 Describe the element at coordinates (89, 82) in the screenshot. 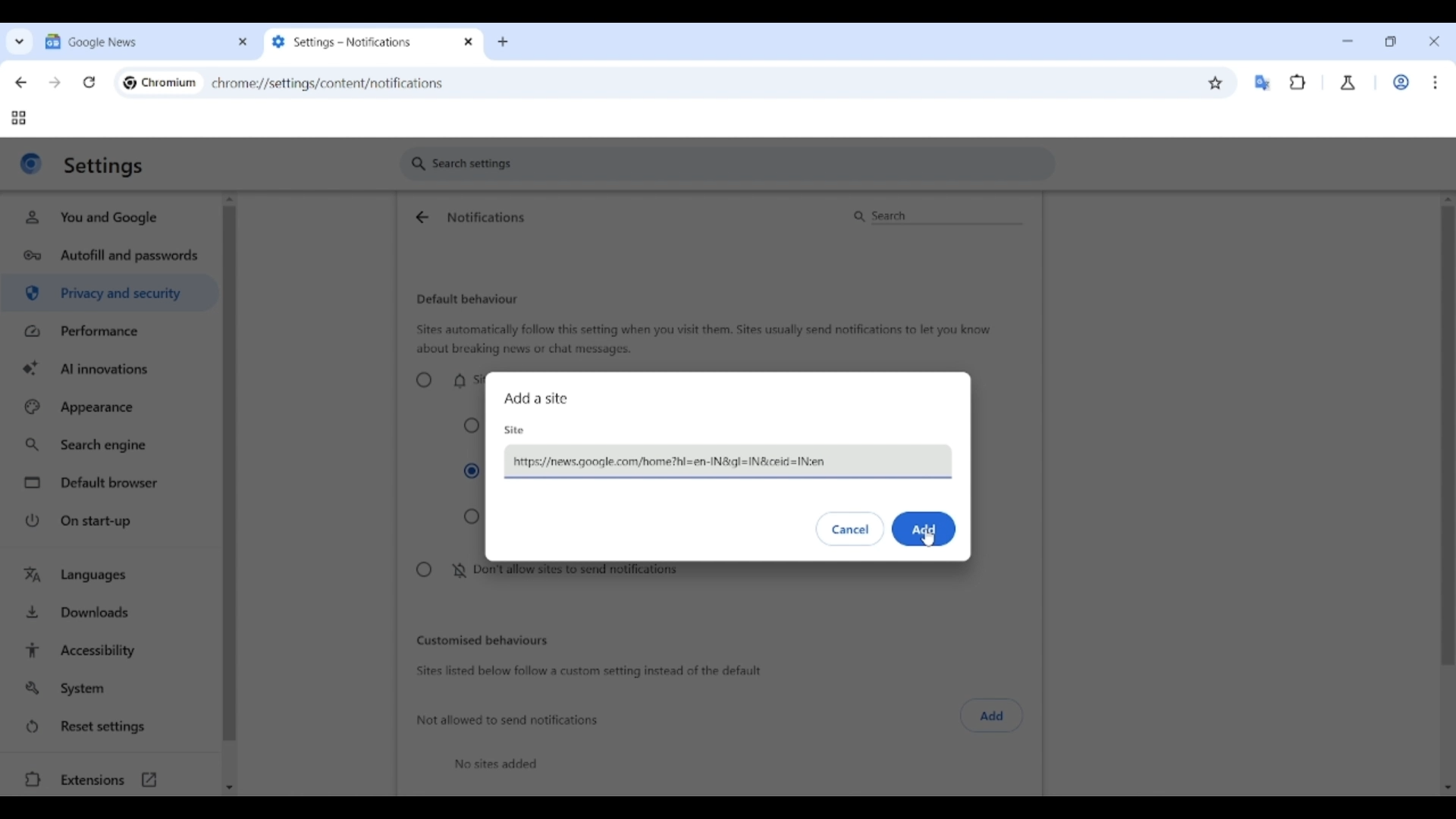

I see `Reload page` at that location.